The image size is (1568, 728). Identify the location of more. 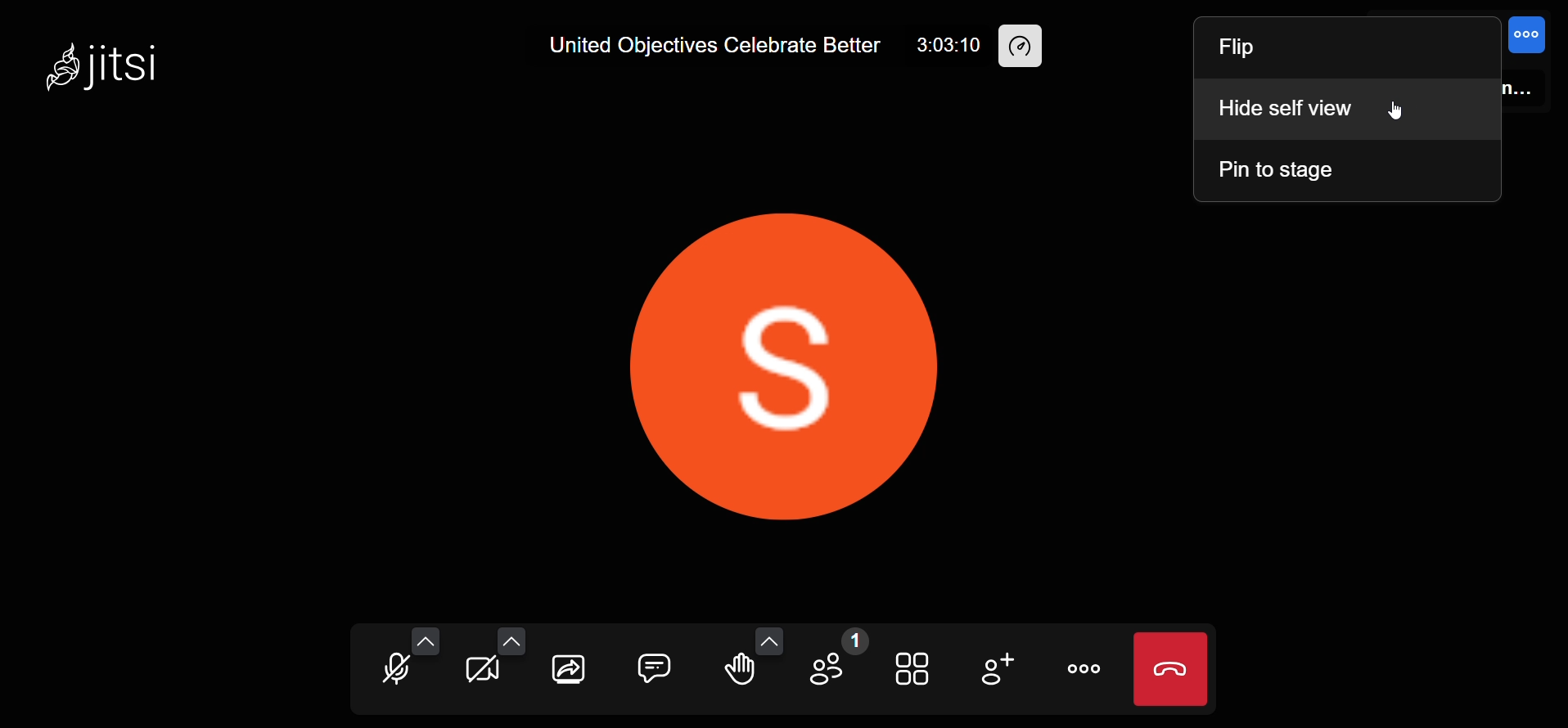
(1088, 667).